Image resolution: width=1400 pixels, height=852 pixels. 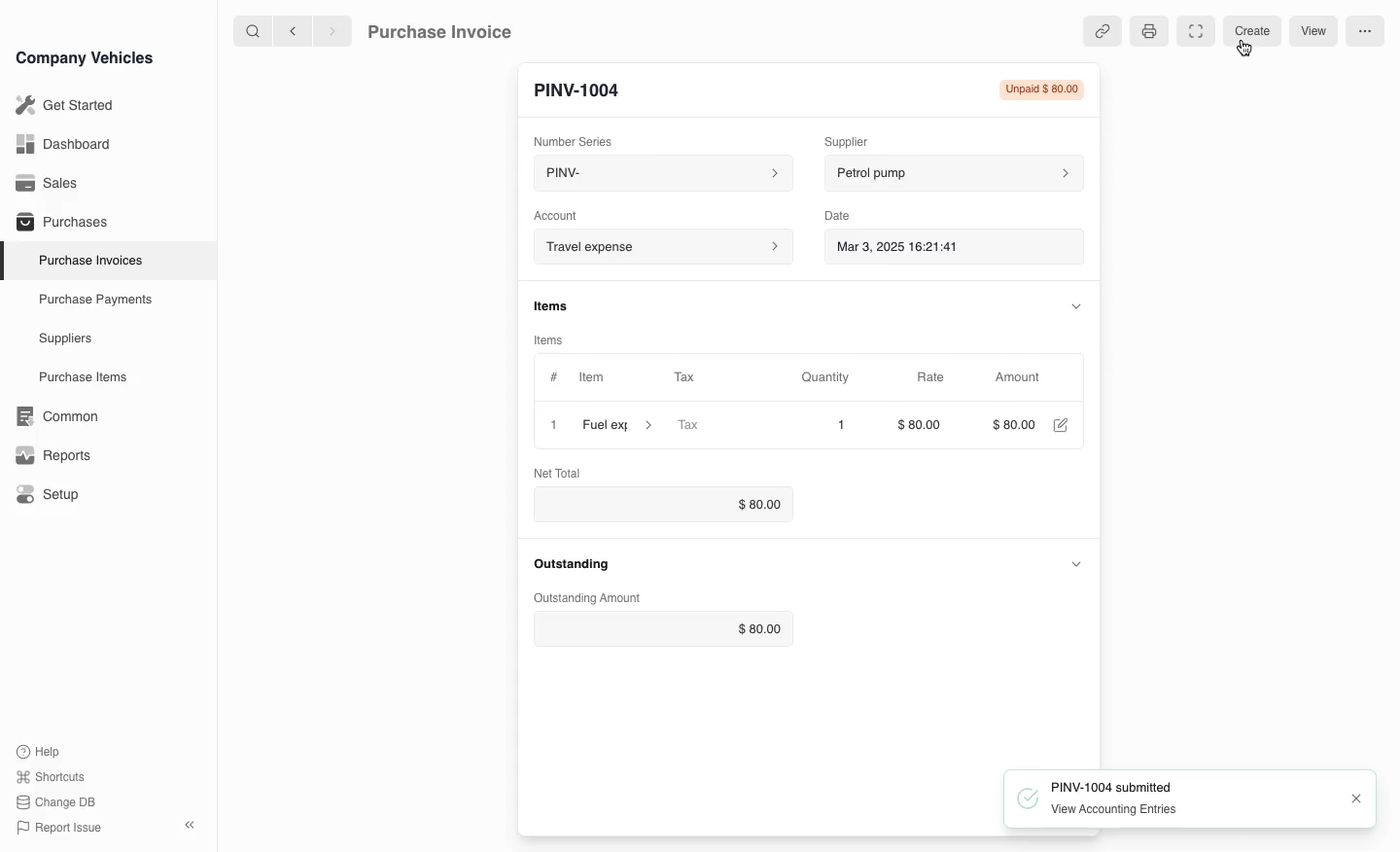 What do you see at coordinates (291, 30) in the screenshot?
I see `previous` at bounding box center [291, 30].